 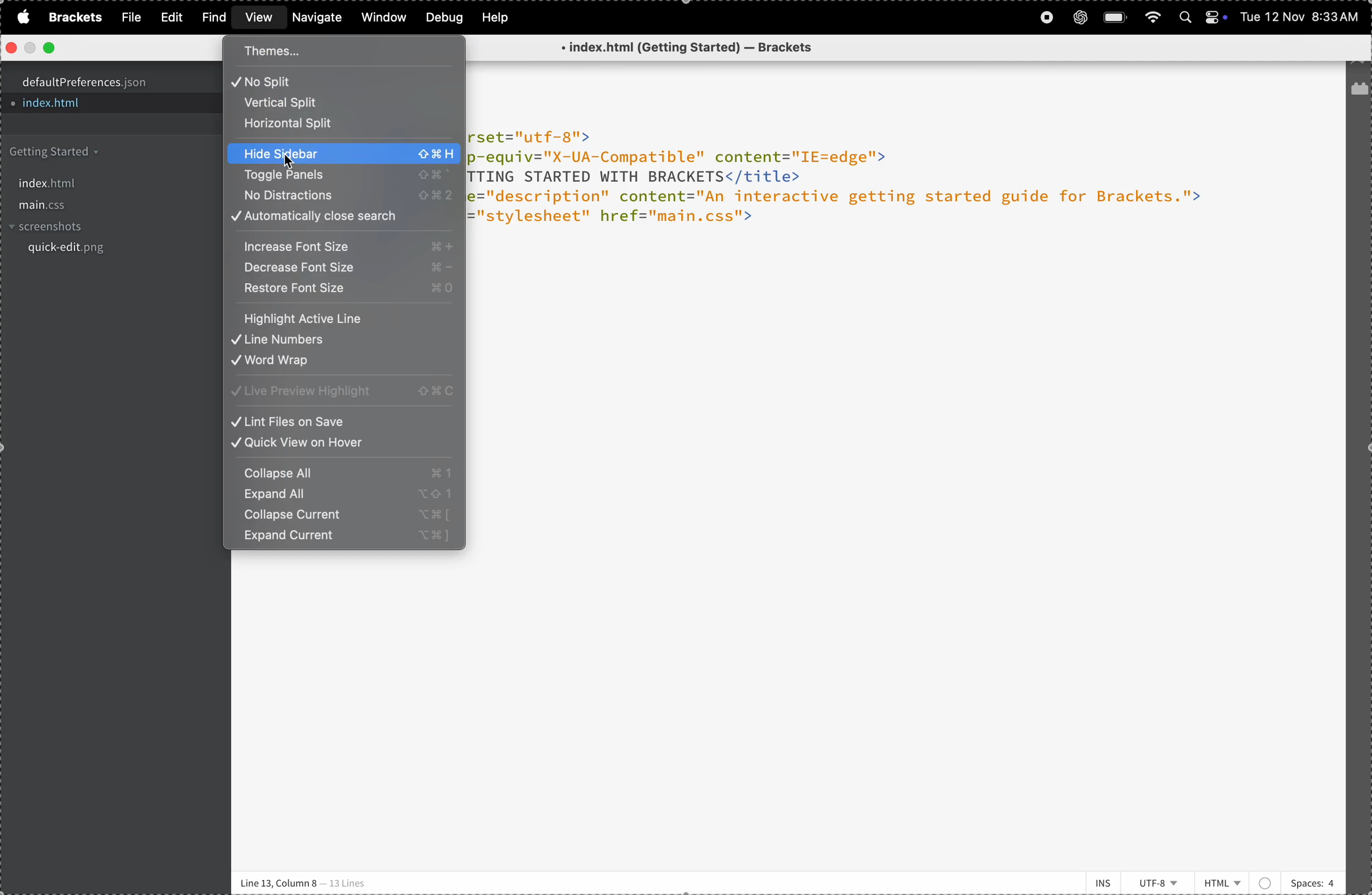 What do you see at coordinates (306, 882) in the screenshot?
I see `line and column -13 lines` at bounding box center [306, 882].